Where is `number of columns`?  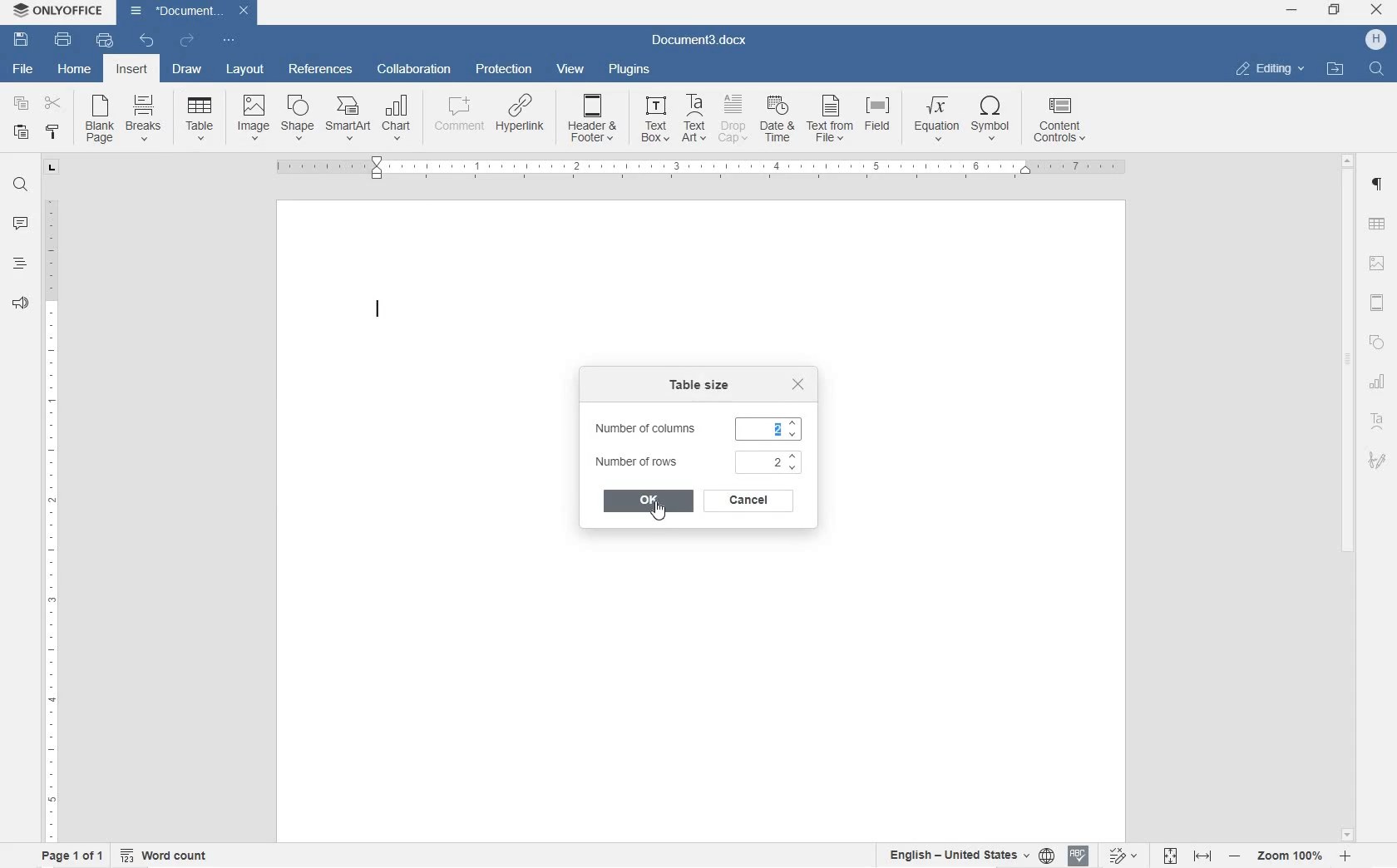 number of columns is located at coordinates (696, 429).